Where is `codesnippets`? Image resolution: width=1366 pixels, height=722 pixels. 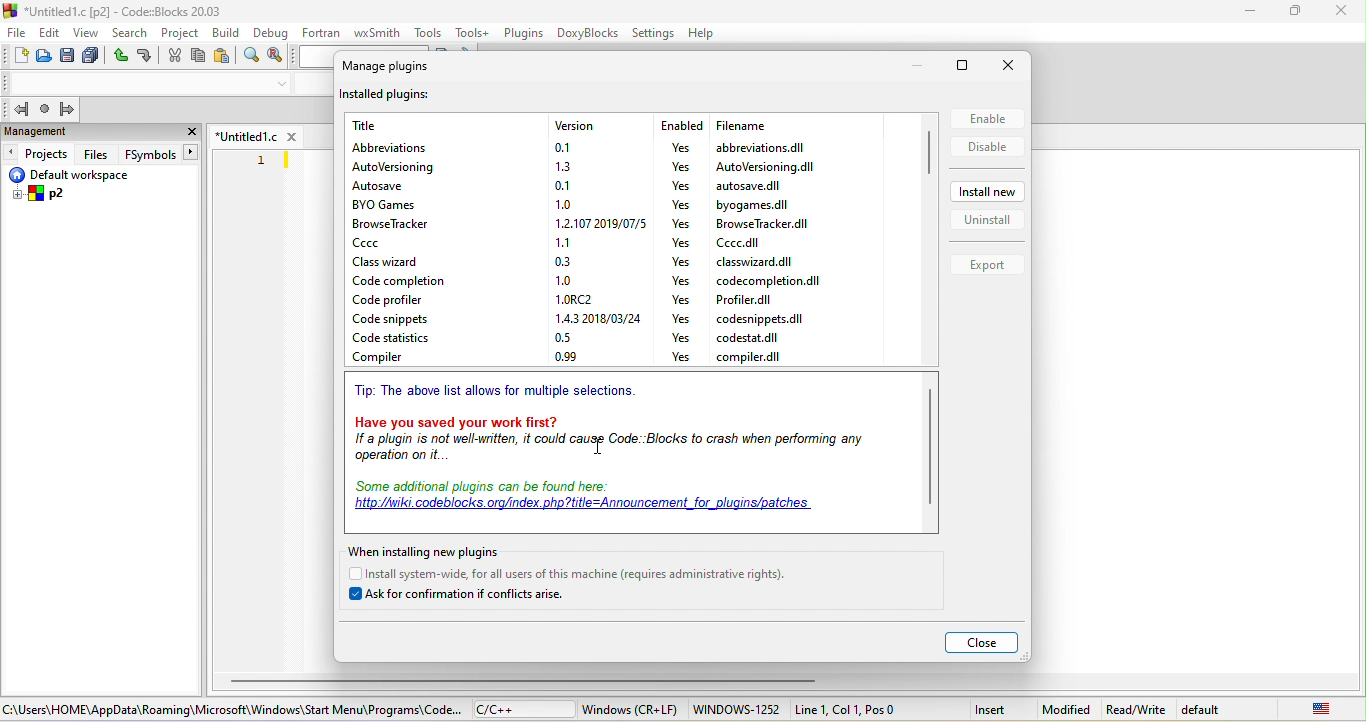
codesnippets is located at coordinates (762, 319).